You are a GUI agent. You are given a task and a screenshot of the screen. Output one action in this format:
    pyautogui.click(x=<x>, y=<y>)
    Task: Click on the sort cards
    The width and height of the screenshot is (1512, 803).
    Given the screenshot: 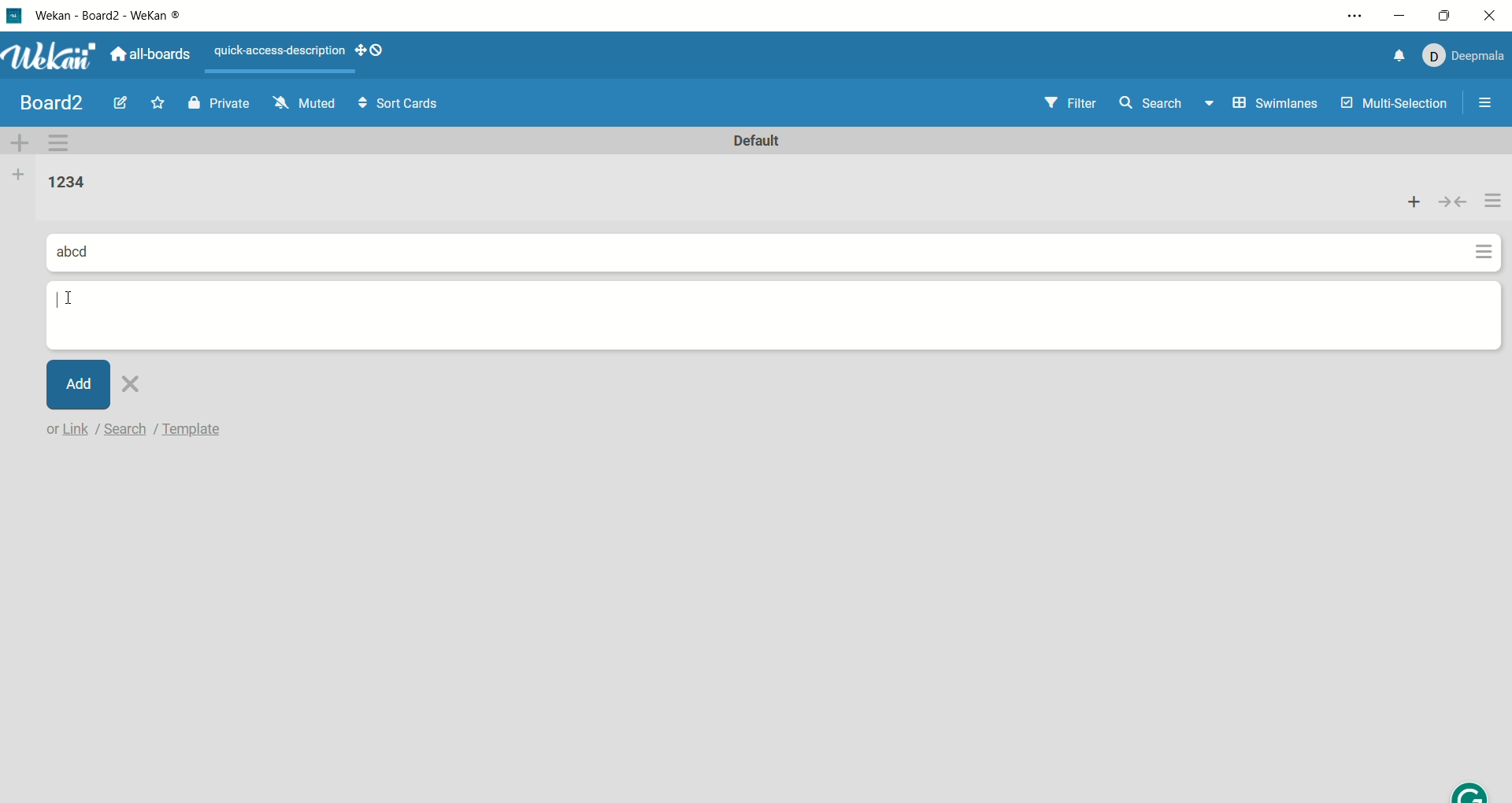 What is the action you would take?
    pyautogui.click(x=408, y=104)
    